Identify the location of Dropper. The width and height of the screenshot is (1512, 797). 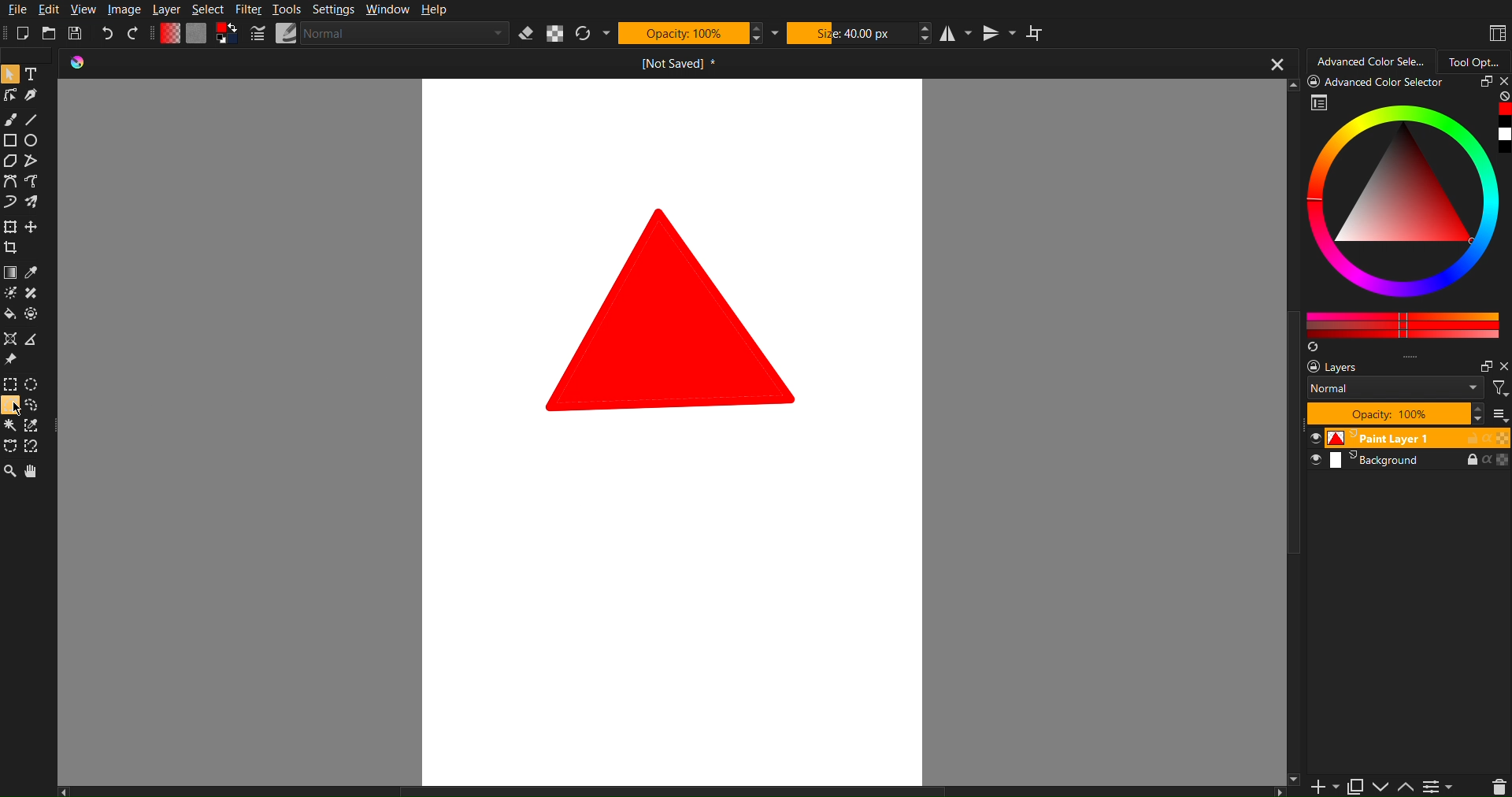
(32, 274).